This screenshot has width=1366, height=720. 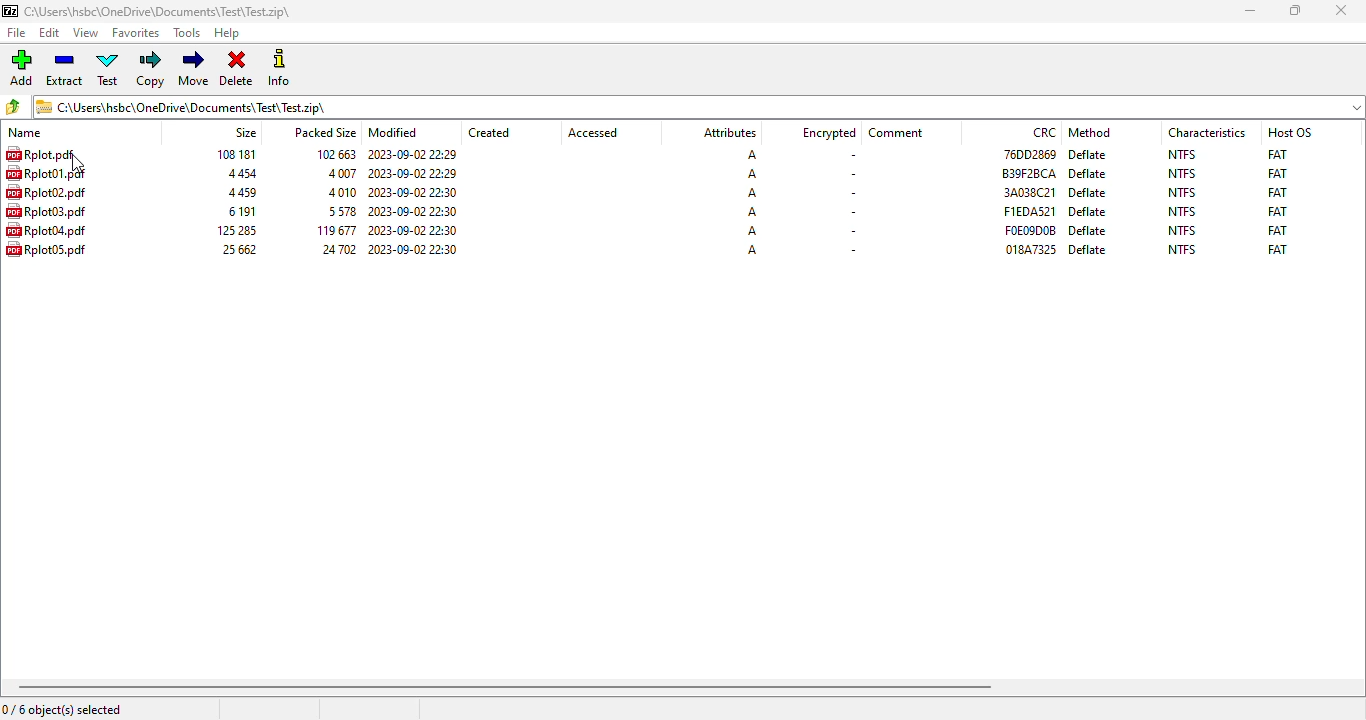 What do you see at coordinates (1277, 153) in the screenshot?
I see `FAT` at bounding box center [1277, 153].